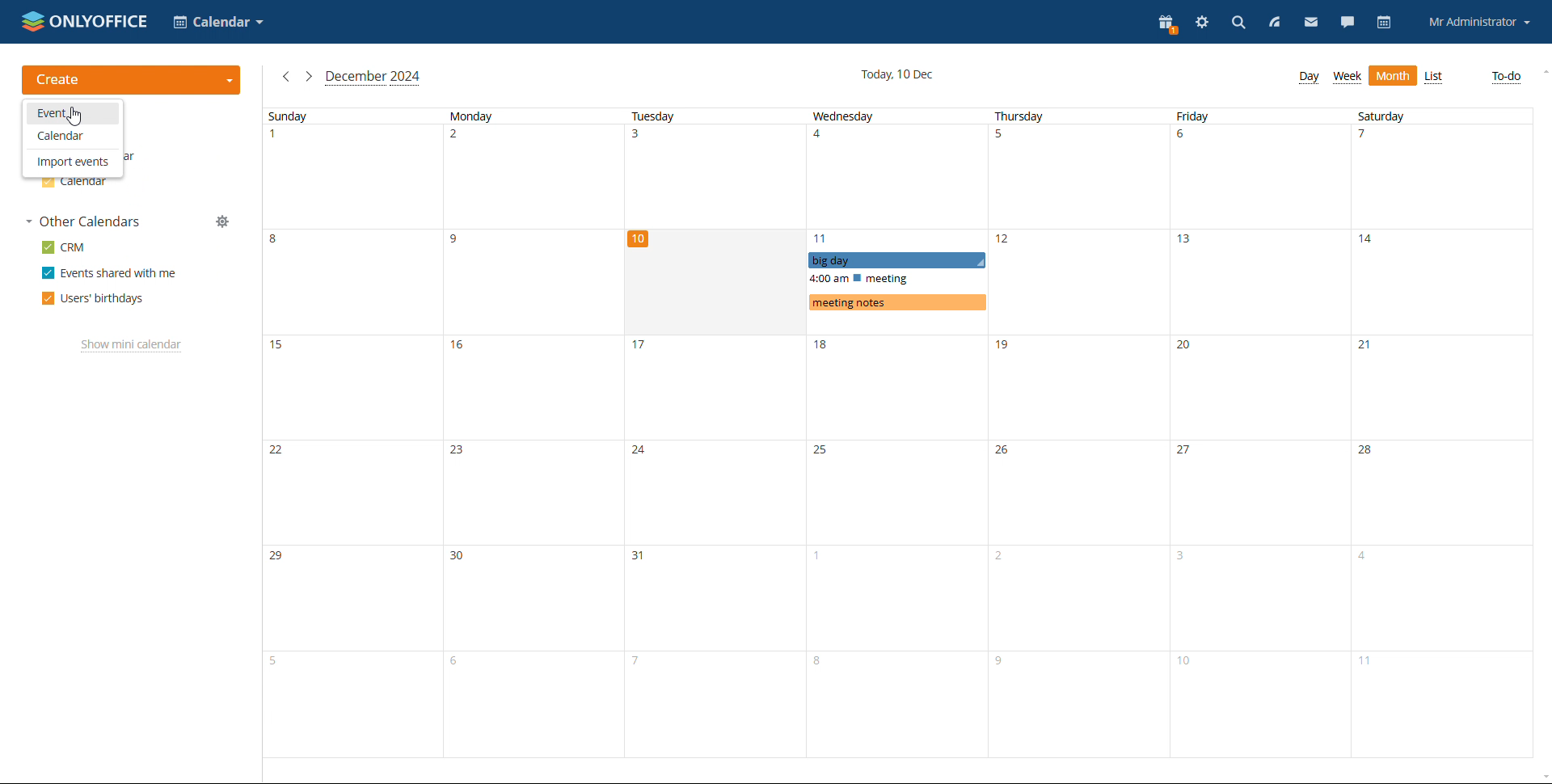  Describe the element at coordinates (1166, 24) in the screenshot. I see `present` at that location.